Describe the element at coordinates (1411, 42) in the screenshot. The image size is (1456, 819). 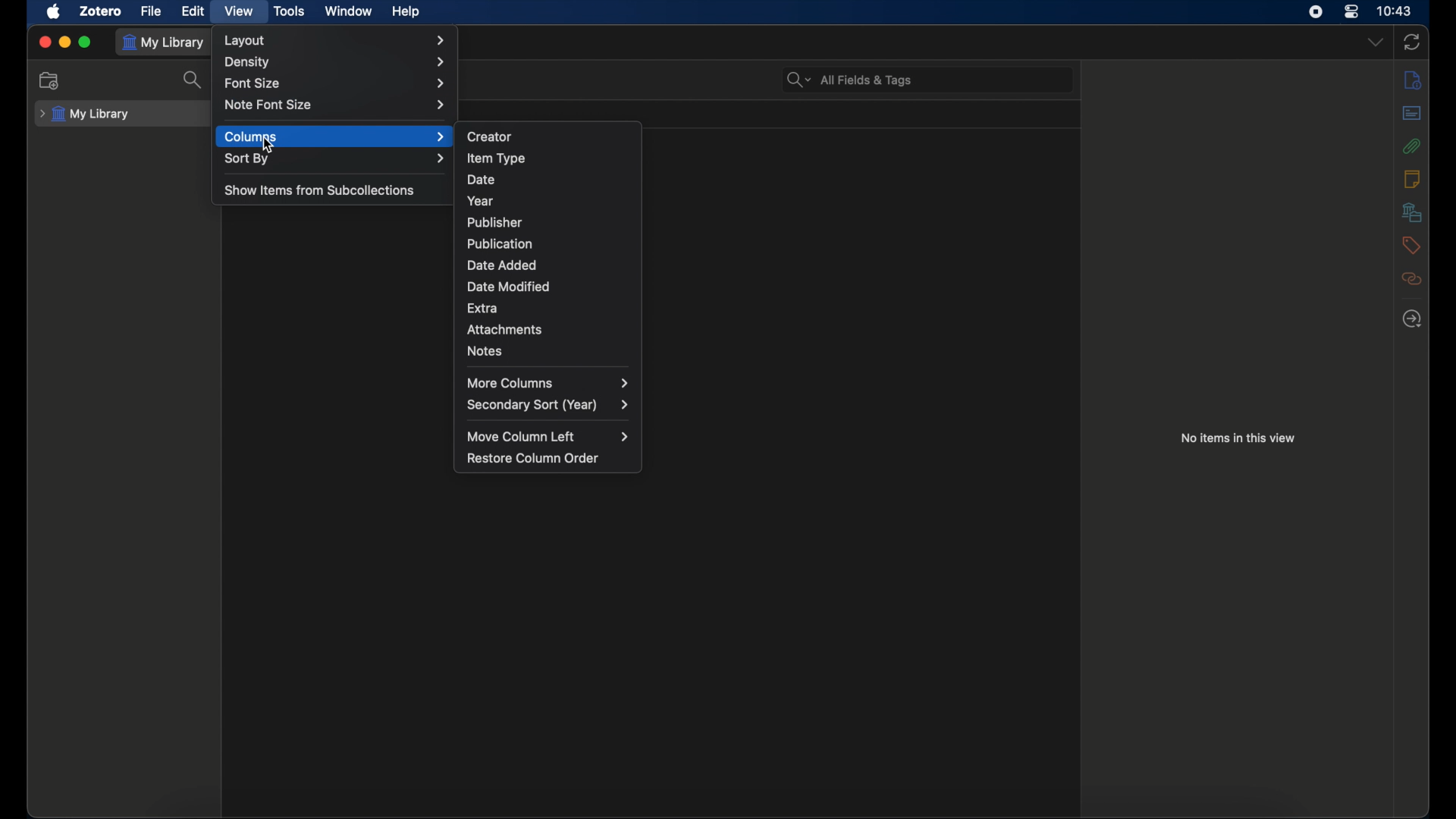
I see `sync` at that location.